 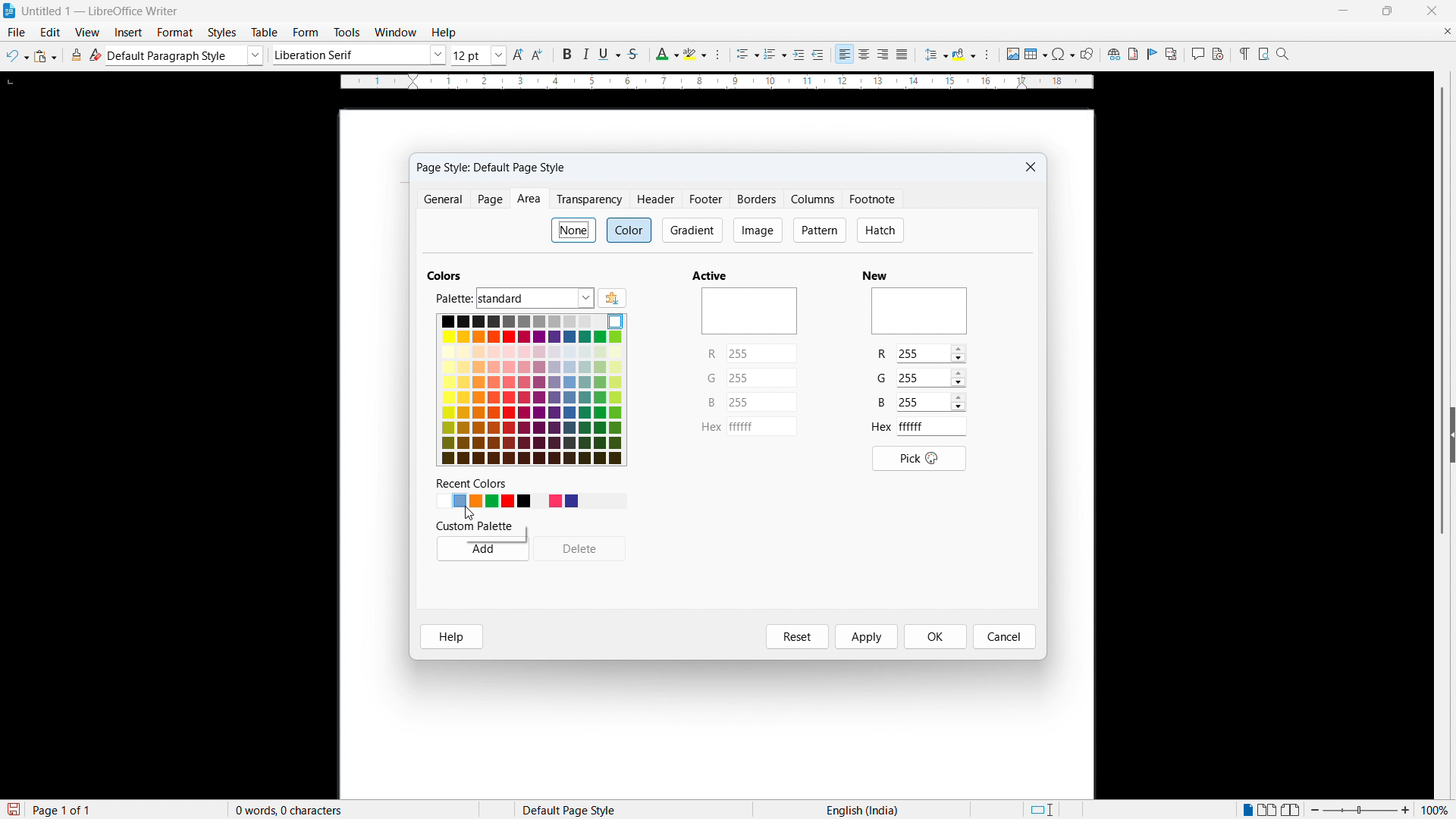 What do you see at coordinates (713, 353) in the screenshot?
I see `R` at bounding box center [713, 353].